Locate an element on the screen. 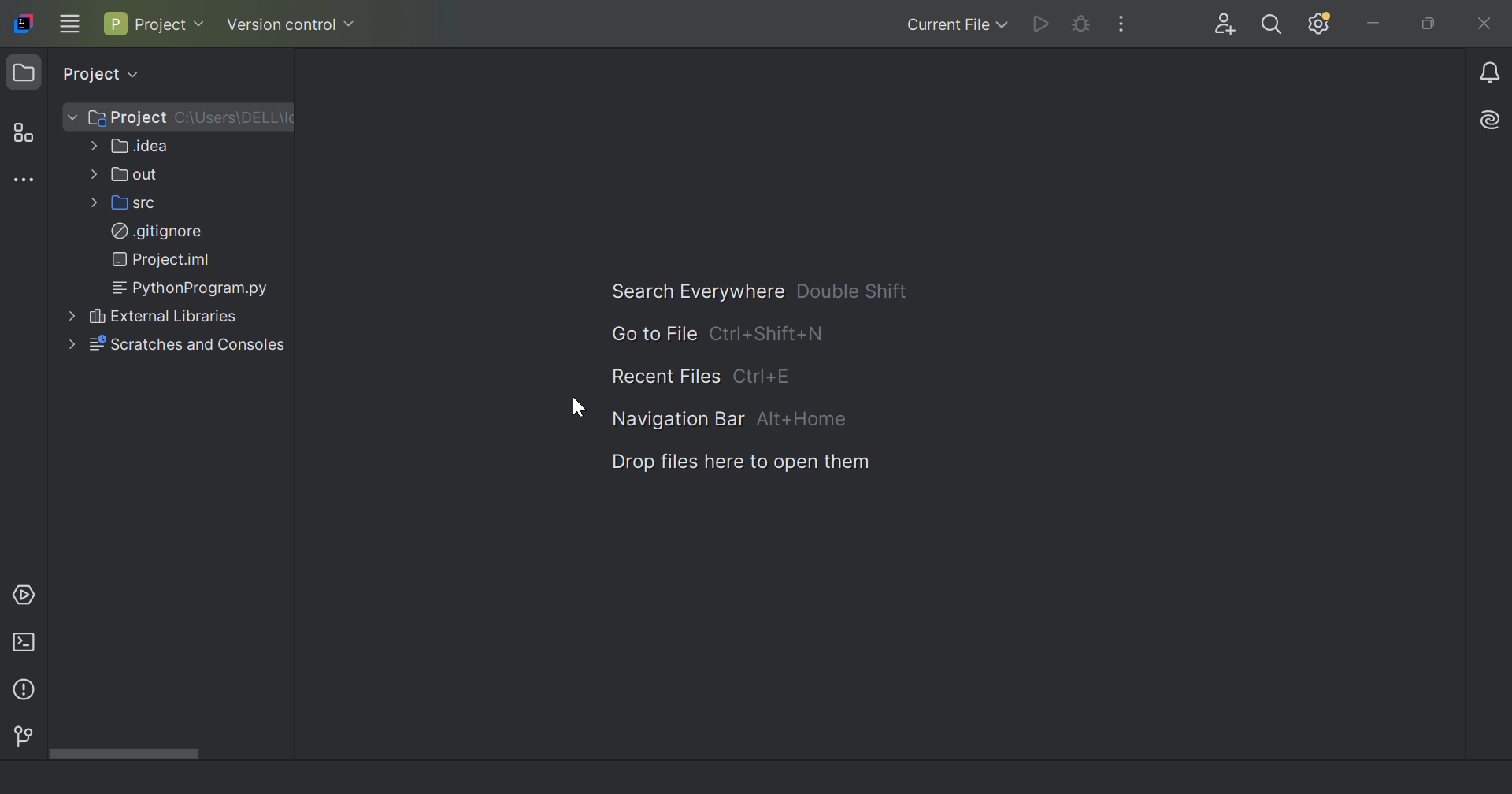  Problems is located at coordinates (22, 692).